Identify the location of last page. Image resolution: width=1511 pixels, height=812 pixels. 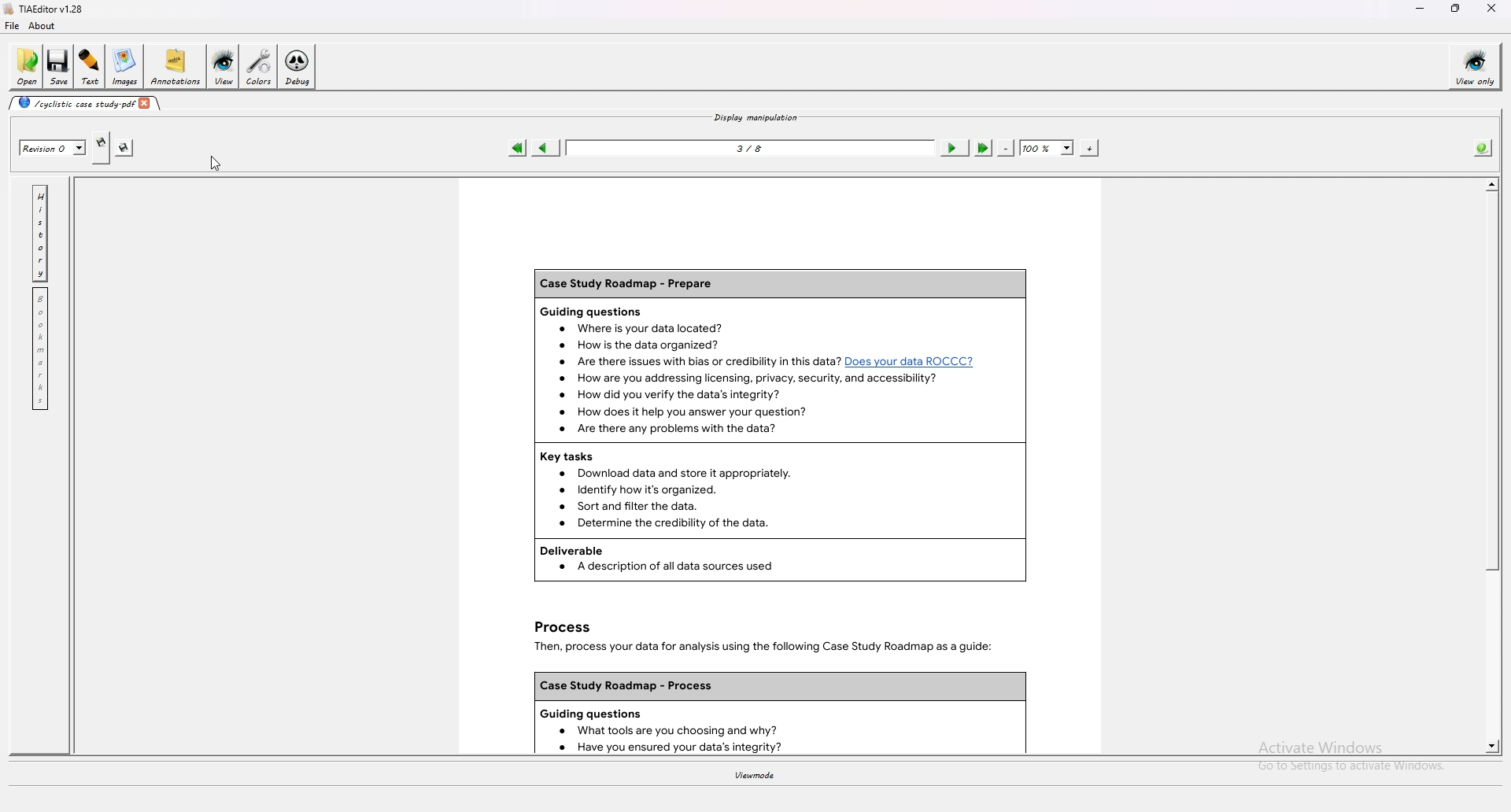
(983, 148).